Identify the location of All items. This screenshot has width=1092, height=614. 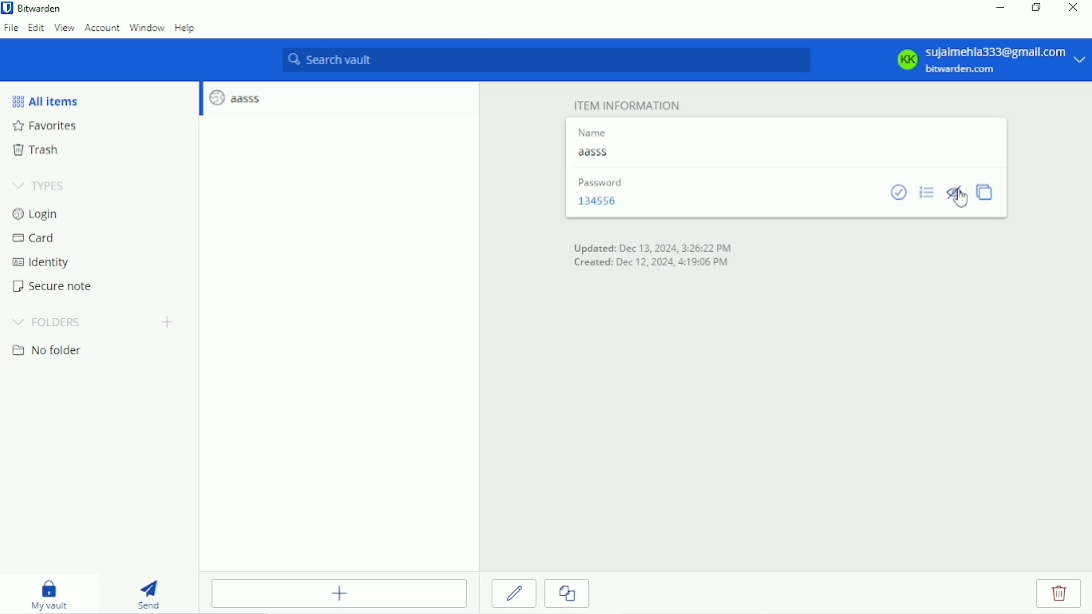
(45, 99).